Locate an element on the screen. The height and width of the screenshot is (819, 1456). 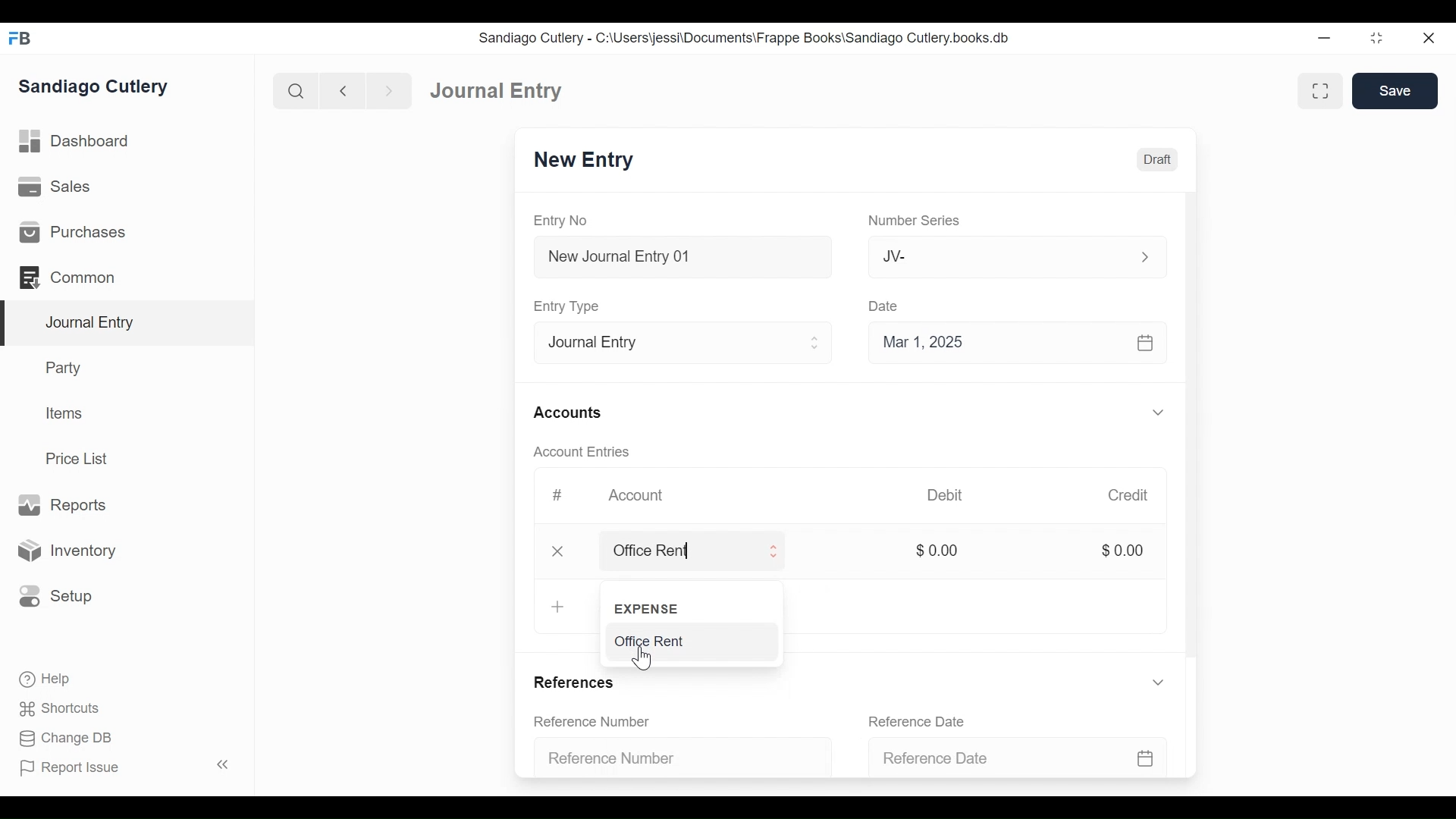
$0.00 is located at coordinates (1122, 551).